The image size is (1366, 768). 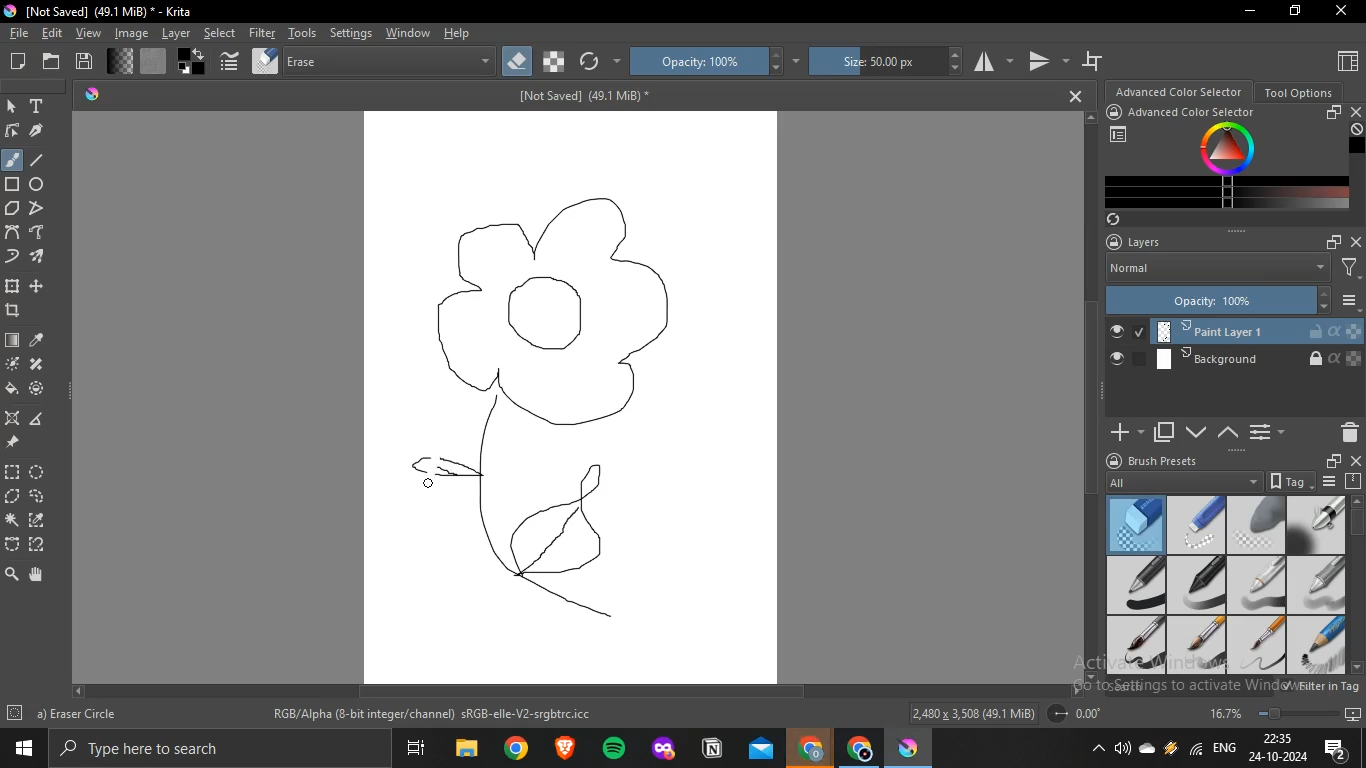 I want to click on eraser, so click(x=1136, y=522).